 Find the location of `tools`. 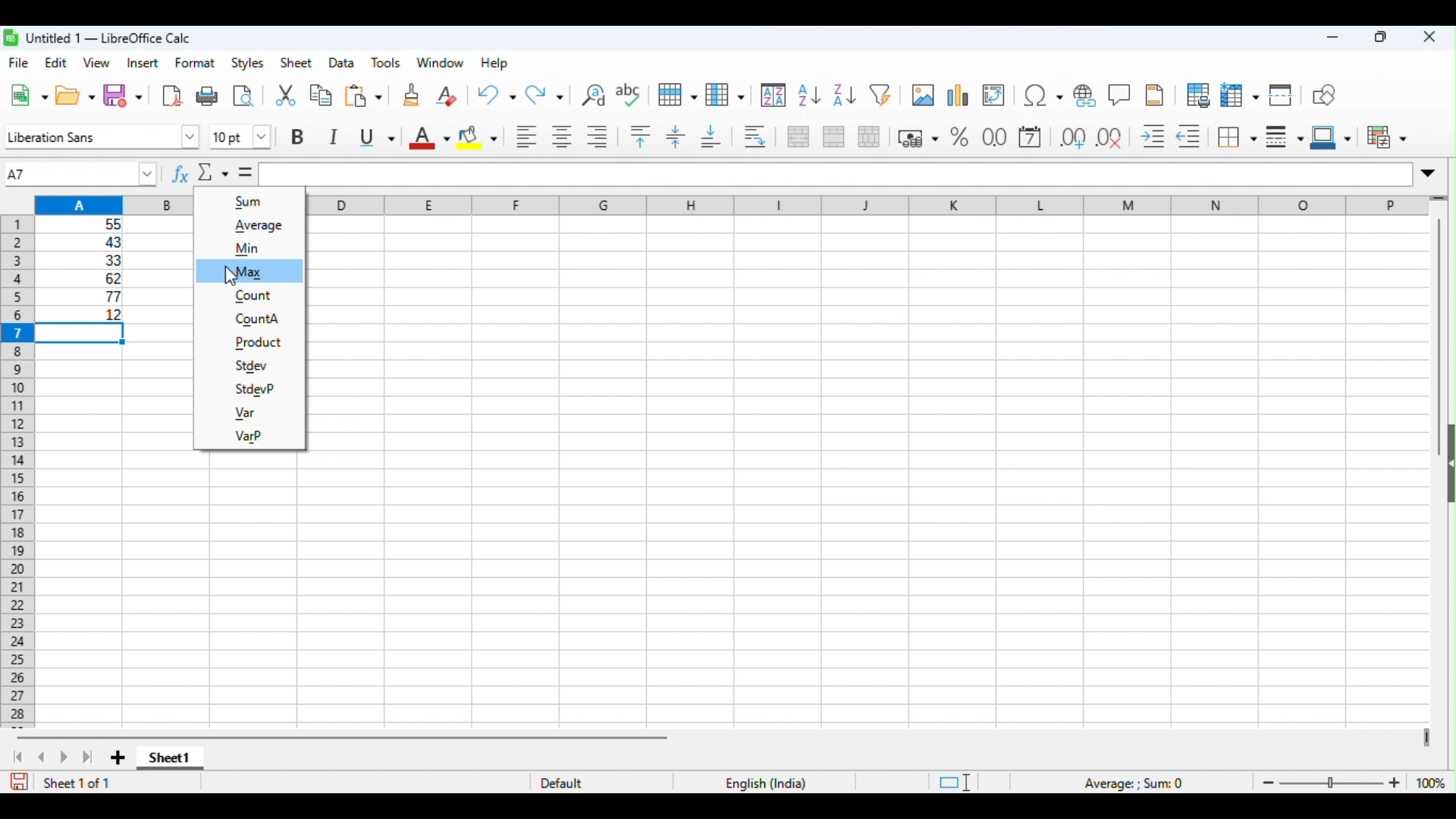

tools is located at coordinates (387, 63).